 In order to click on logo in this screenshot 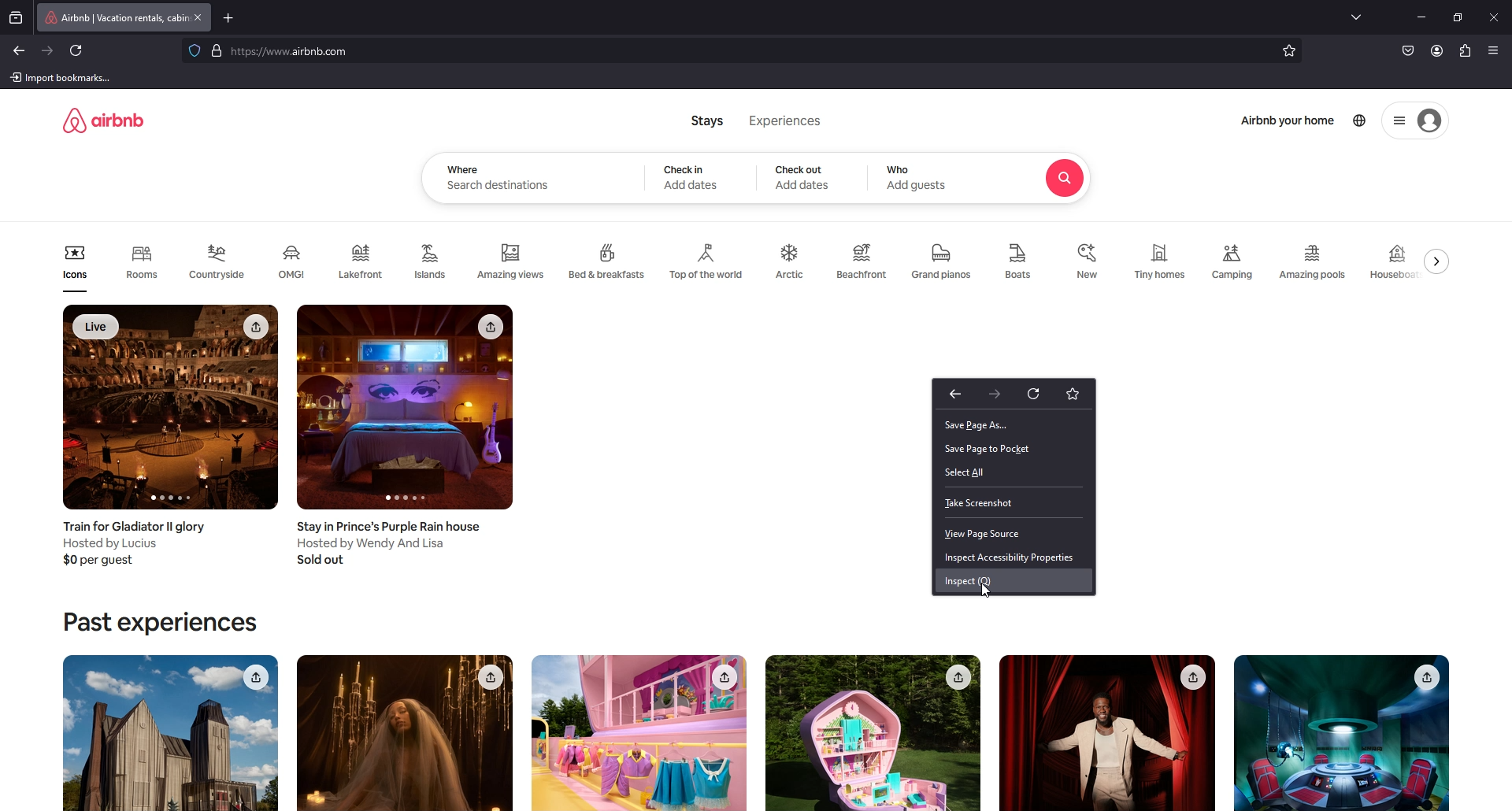, I will do `click(103, 120)`.